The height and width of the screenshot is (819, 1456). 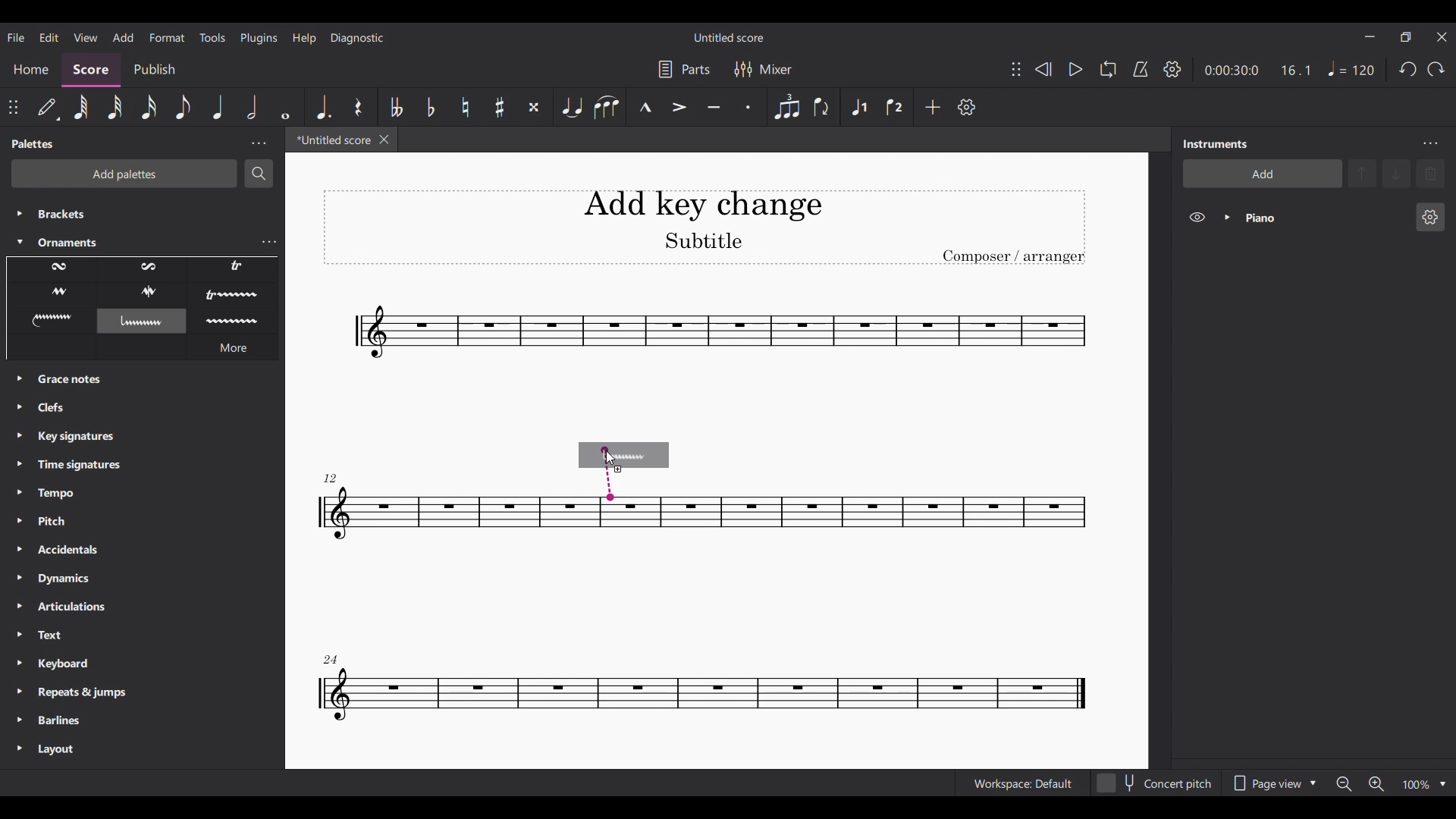 I want to click on Toggle double flat, so click(x=396, y=107).